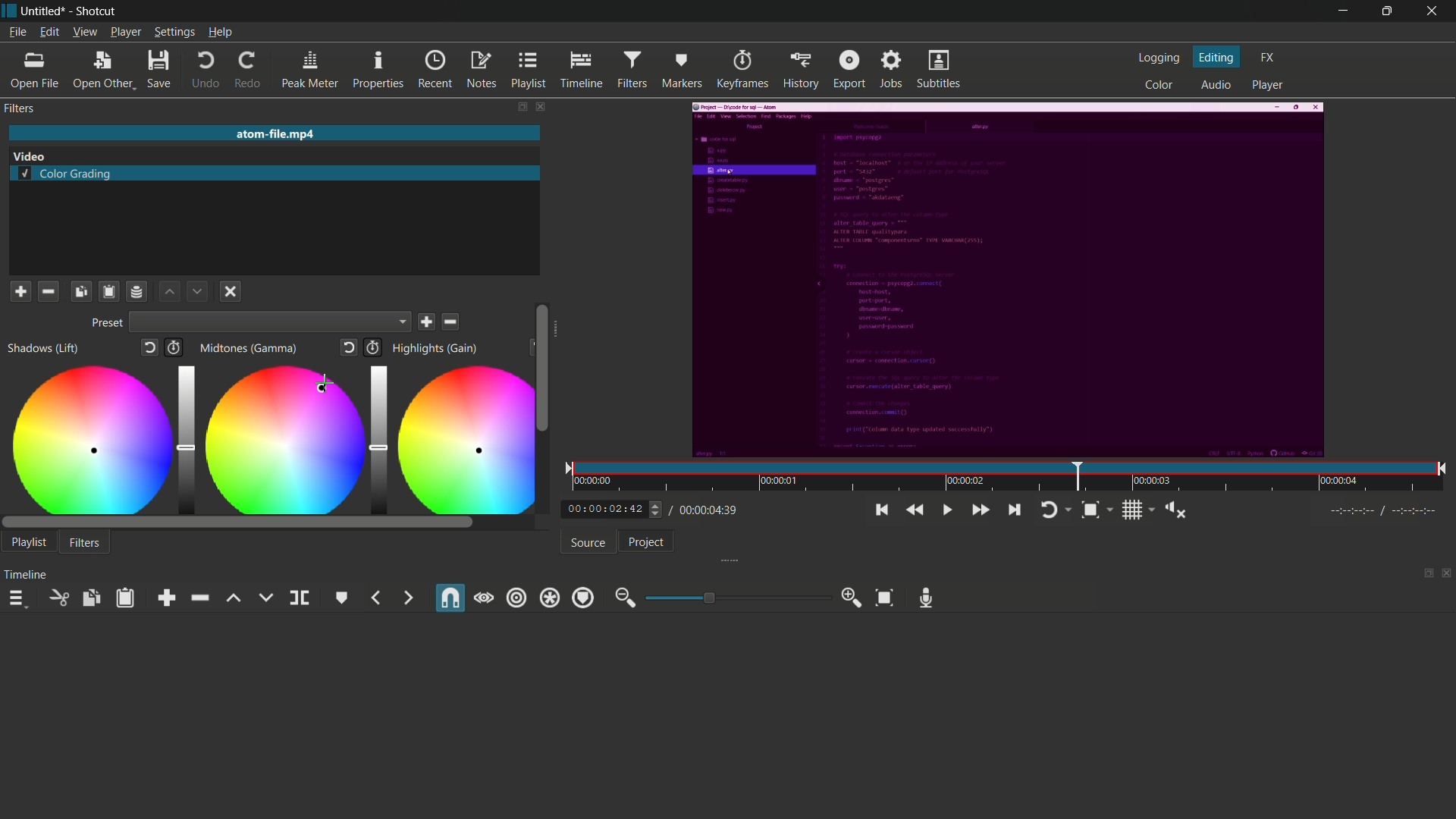  I want to click on settings menu, so click(174, 33).